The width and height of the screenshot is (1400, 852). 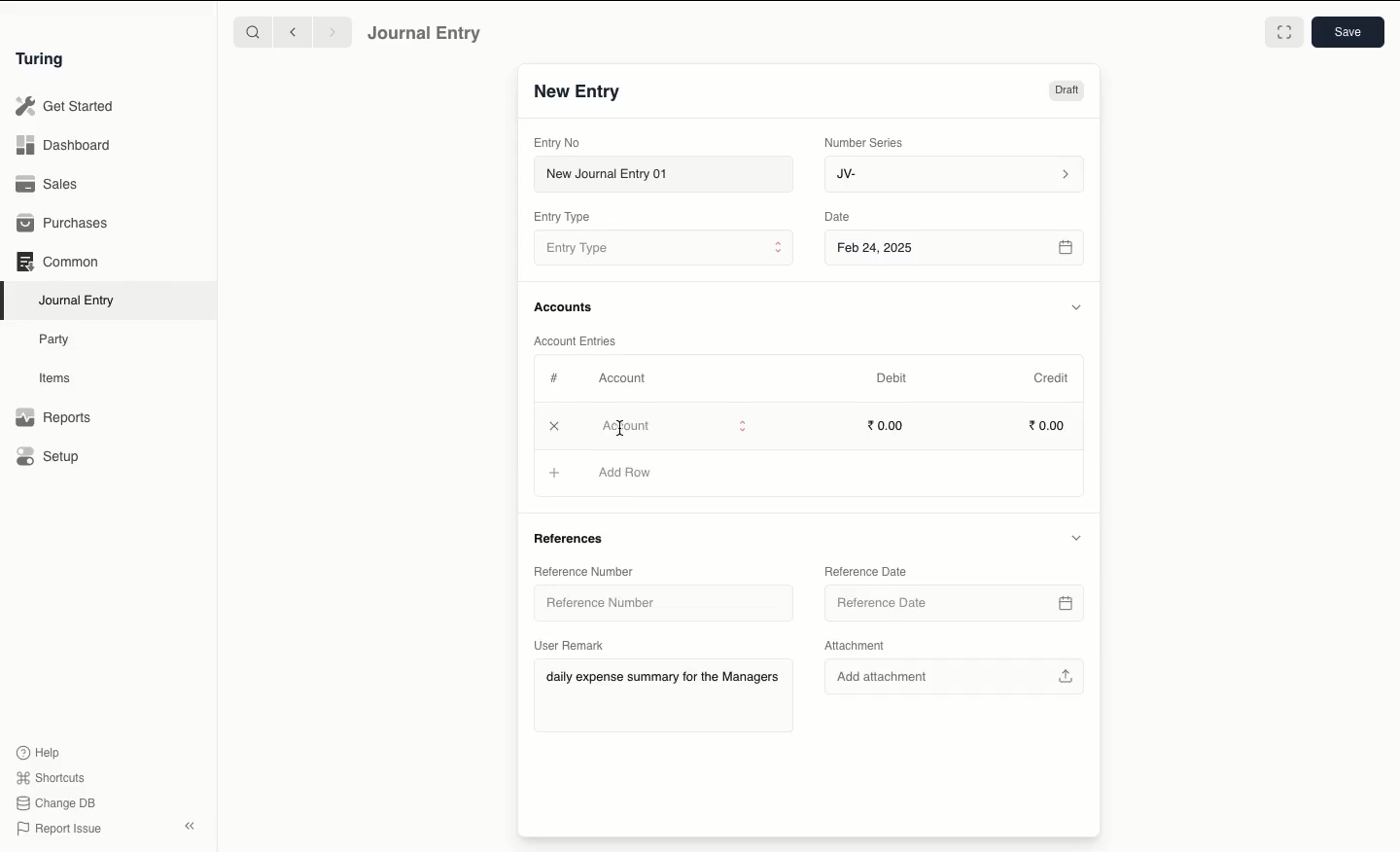 What do you see at coordinates (1067, 90) in the screenshot?
I see `Draft` at bounding box center [1067, 90].